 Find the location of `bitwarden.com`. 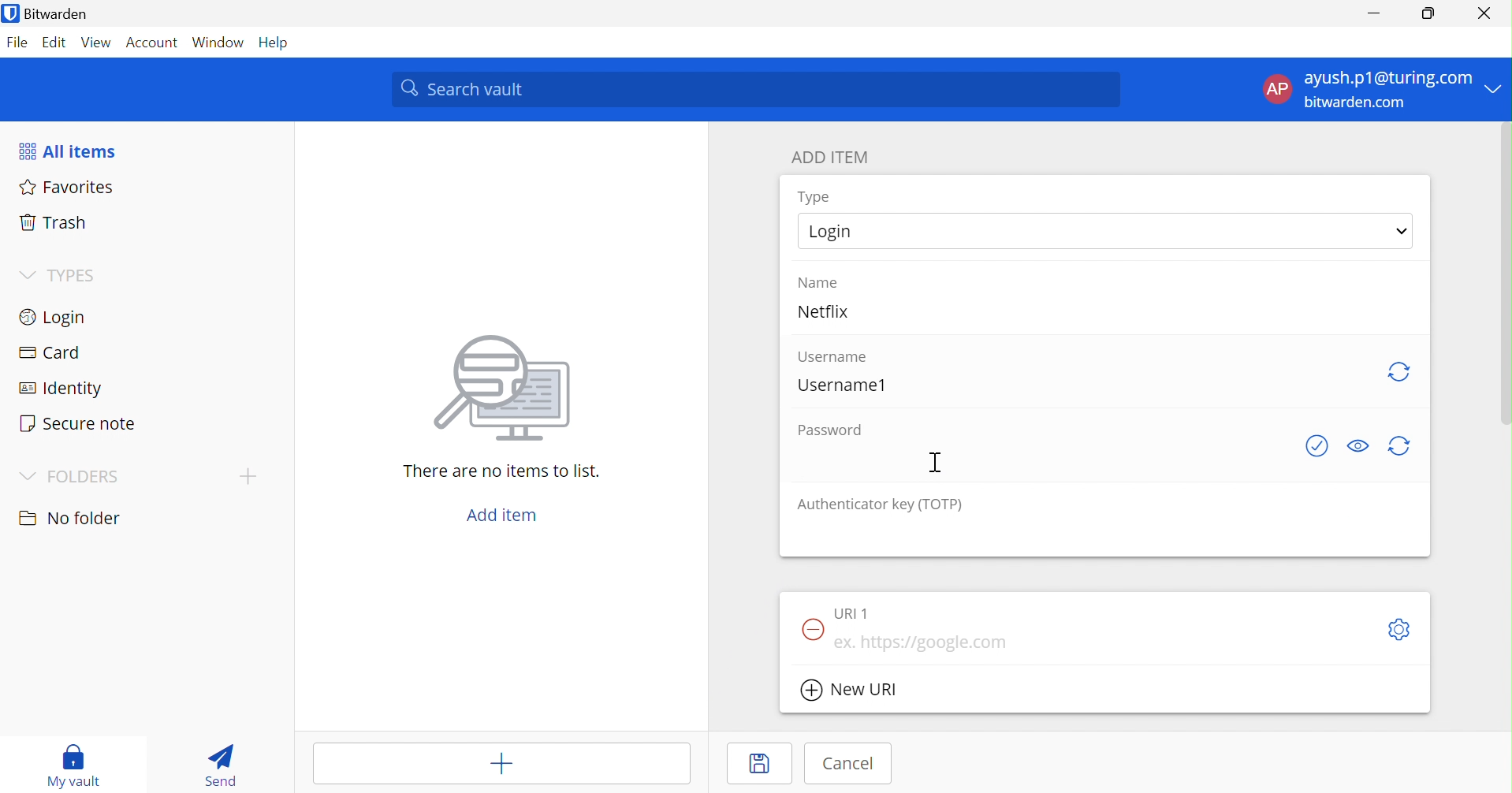

bitwarden.com is located at coordinates (1354, 102).